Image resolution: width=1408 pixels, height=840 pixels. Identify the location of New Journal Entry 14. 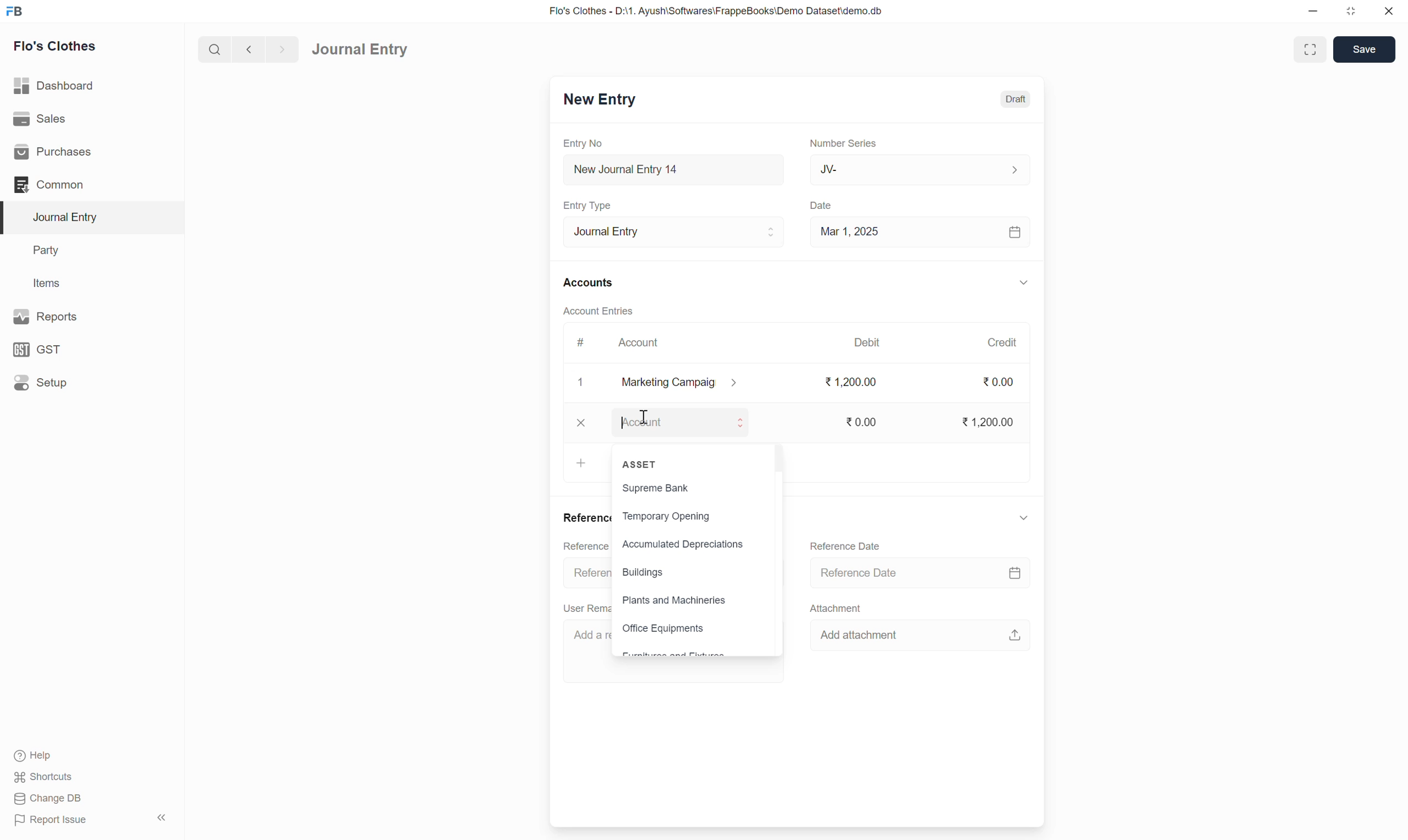
(646, 170).